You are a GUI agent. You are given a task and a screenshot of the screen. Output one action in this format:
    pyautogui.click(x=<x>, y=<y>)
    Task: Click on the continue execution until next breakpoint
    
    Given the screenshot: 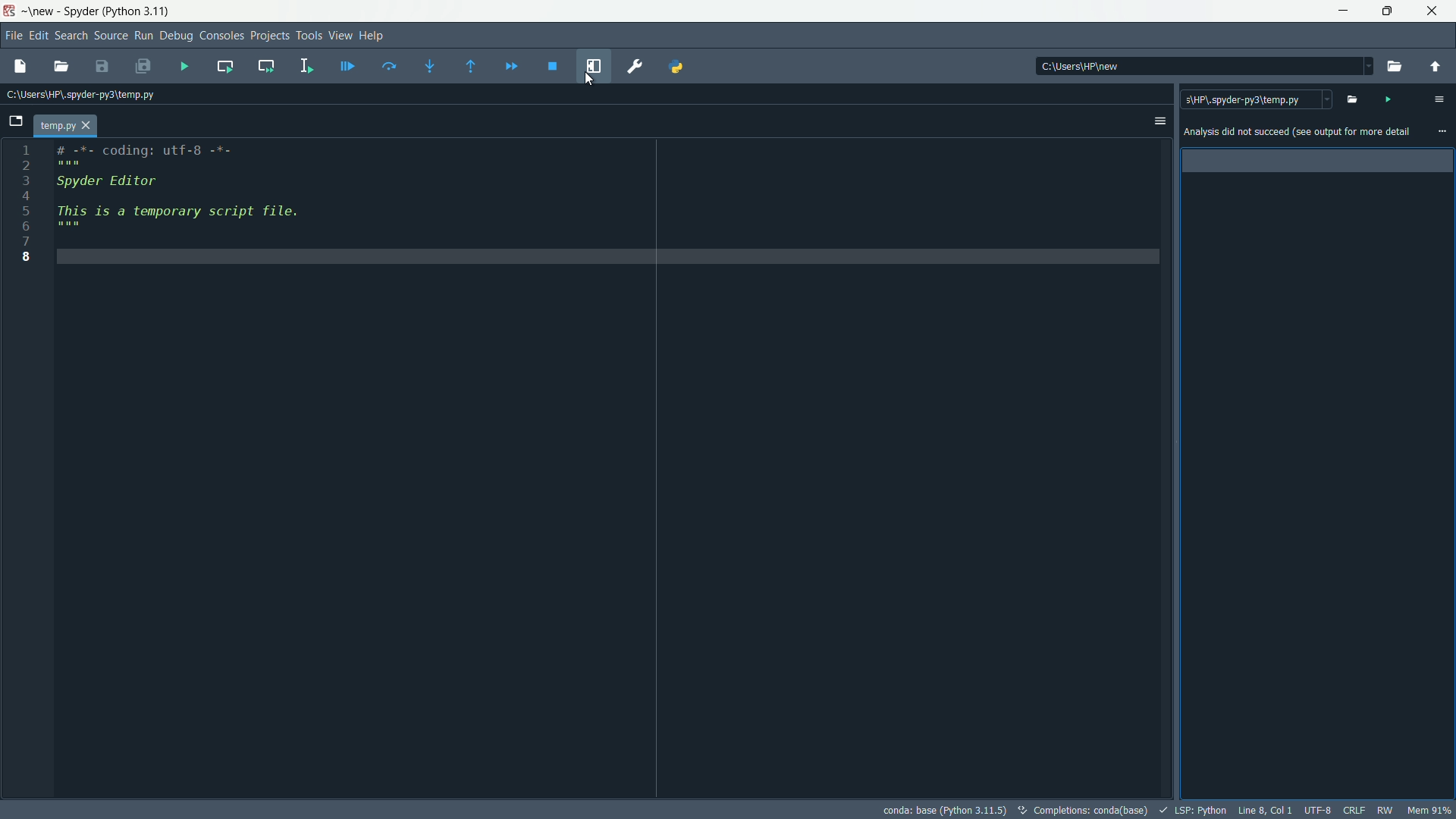 What is the action you would take?
    pyautogui.click(x=512, y=67)
    